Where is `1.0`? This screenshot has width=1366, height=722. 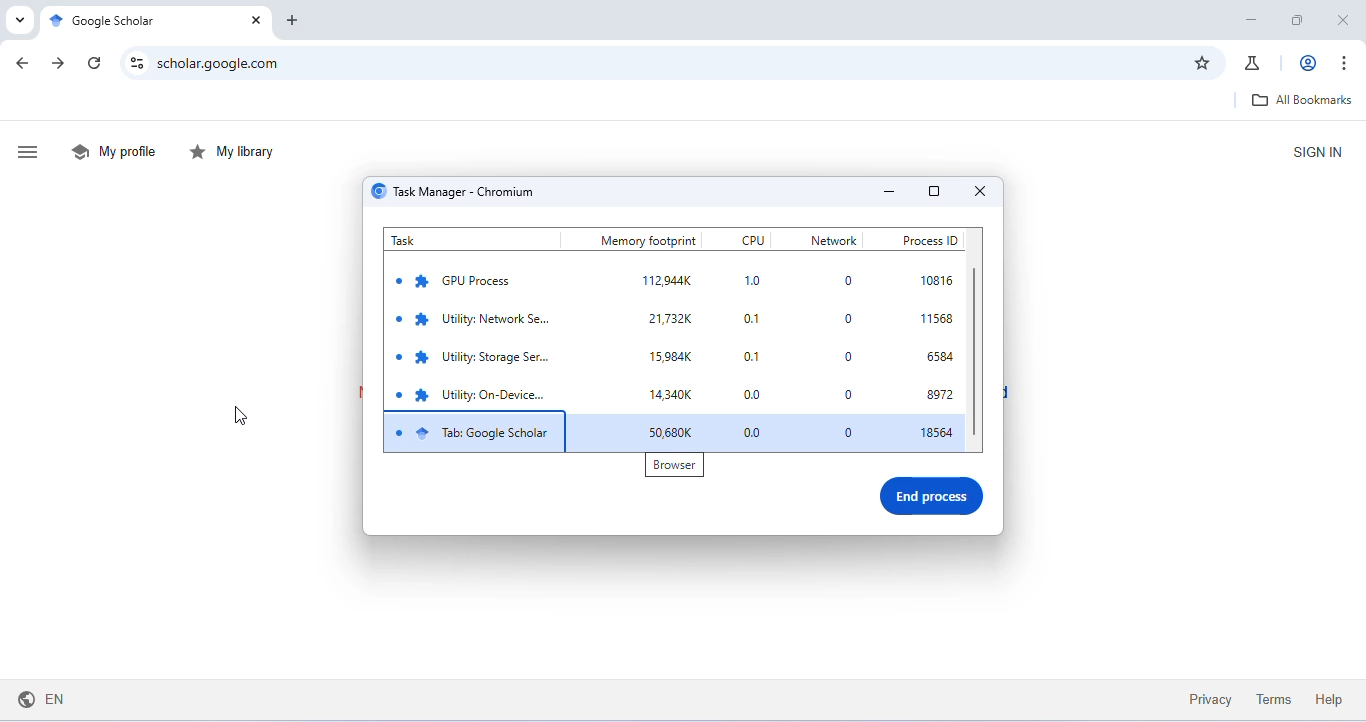
1.0 is located at coordinates (757, 282).